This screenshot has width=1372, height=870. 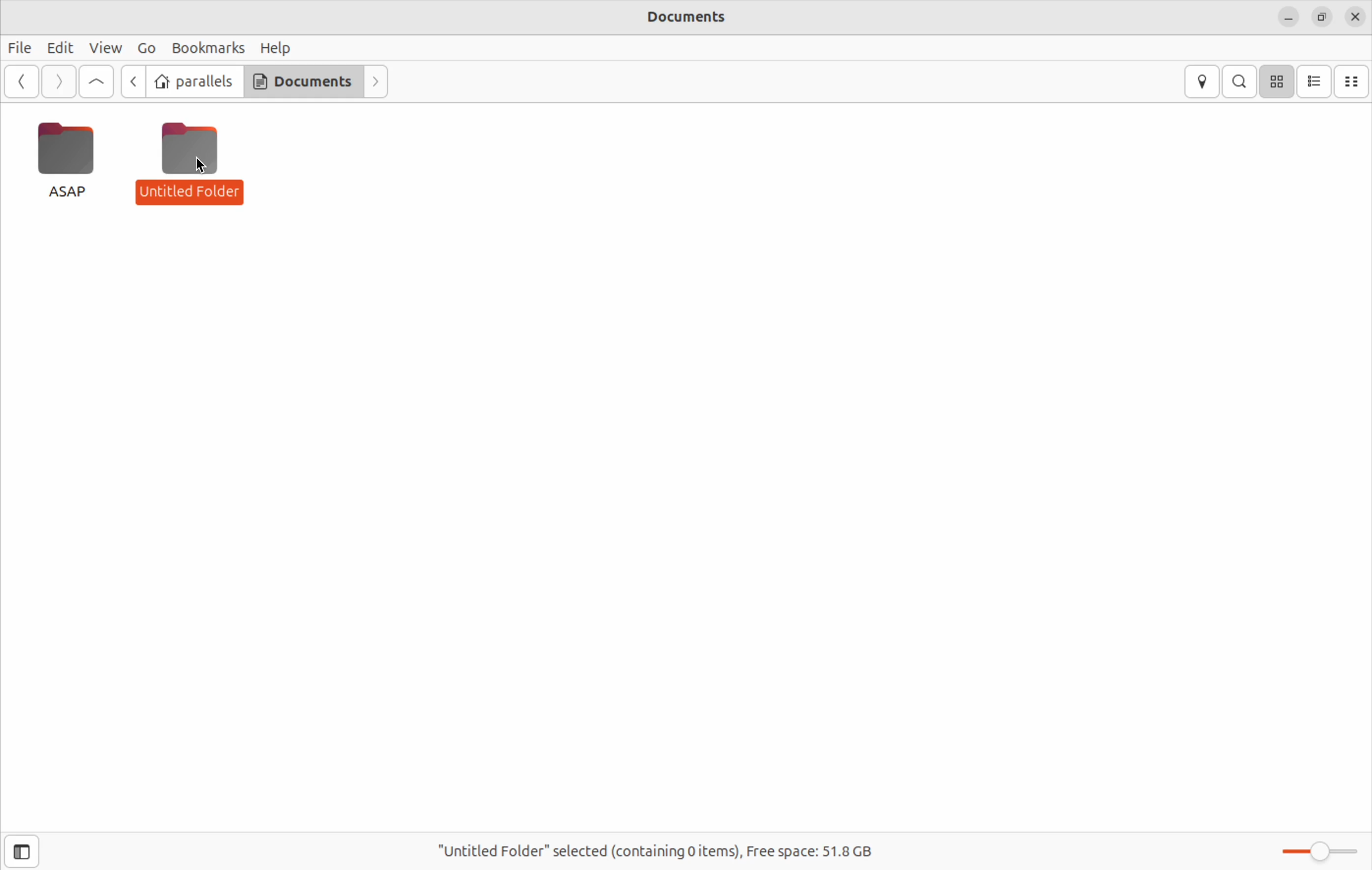 What do you see at coordinates (1278, 81) in the screenshot?
I see `icon view` at bounding box center [1278, 81].